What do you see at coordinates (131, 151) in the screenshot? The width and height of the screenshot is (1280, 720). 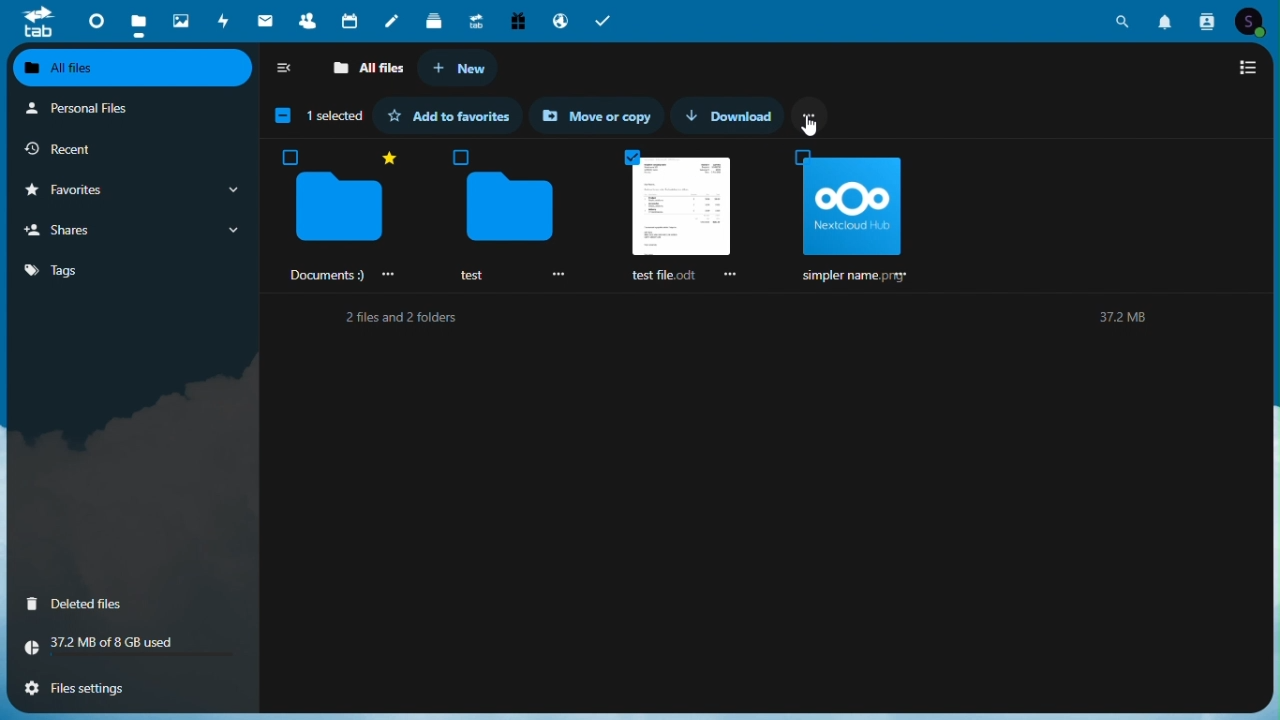 I see `Recent` at bounding box center [131, 151].